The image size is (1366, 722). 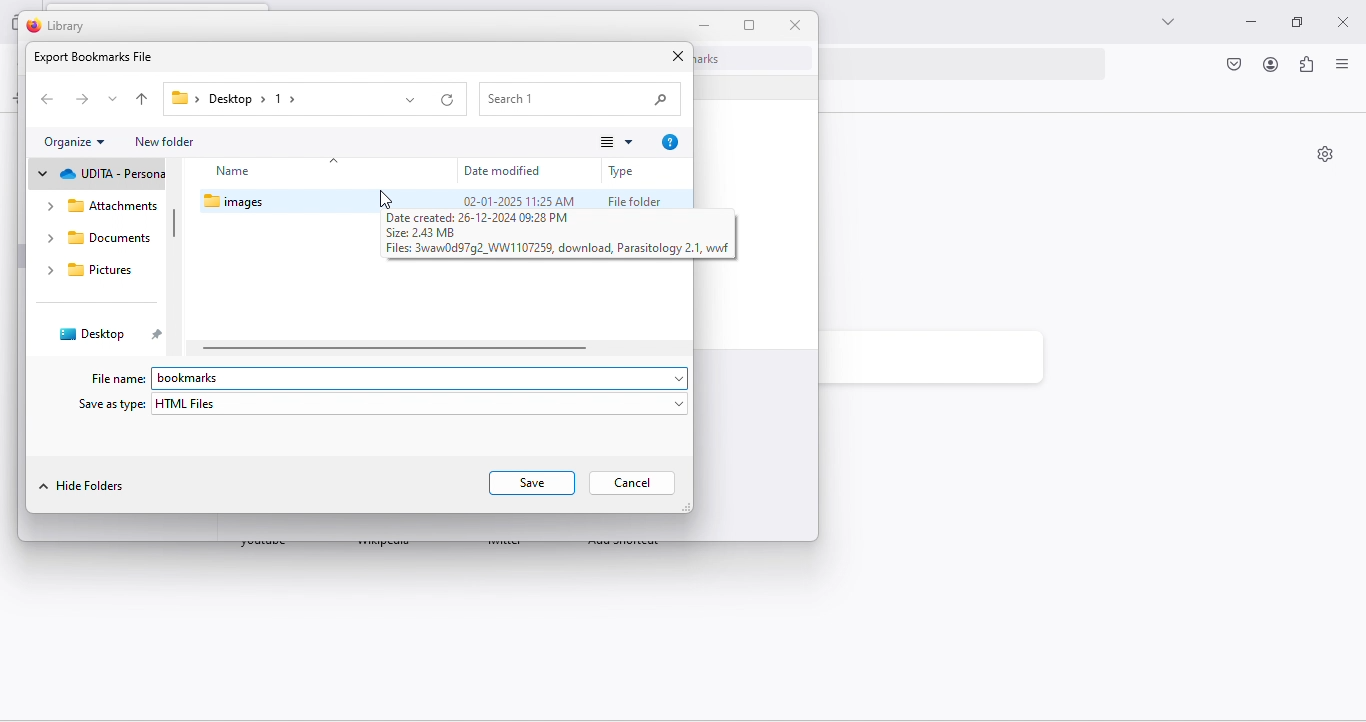 I want to click on more, so click(x=611, y=143).